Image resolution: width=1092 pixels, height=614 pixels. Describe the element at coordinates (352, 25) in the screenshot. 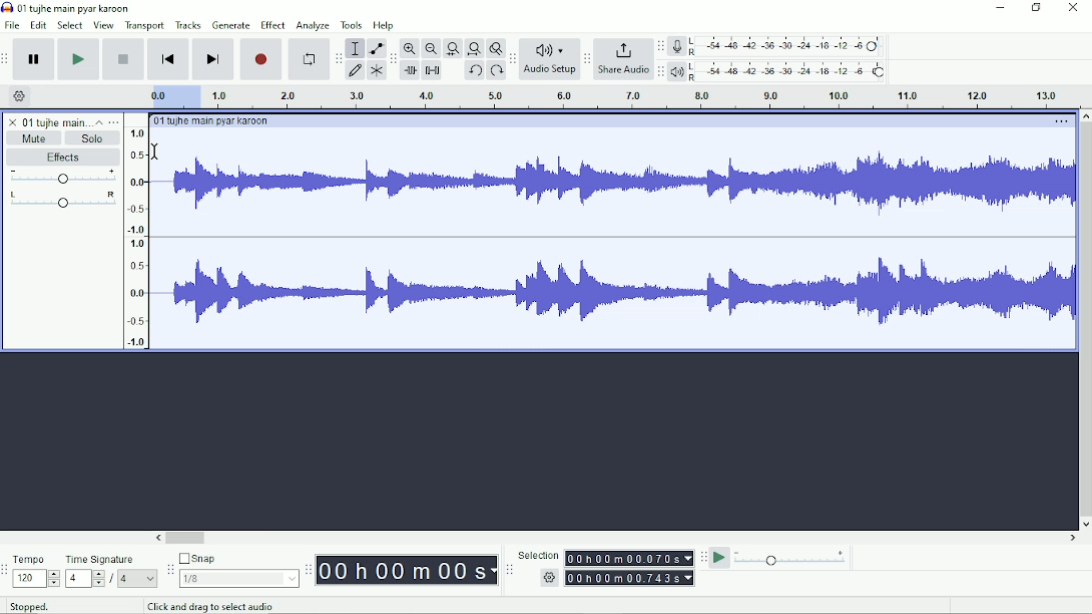

I see `Tools` at that location.